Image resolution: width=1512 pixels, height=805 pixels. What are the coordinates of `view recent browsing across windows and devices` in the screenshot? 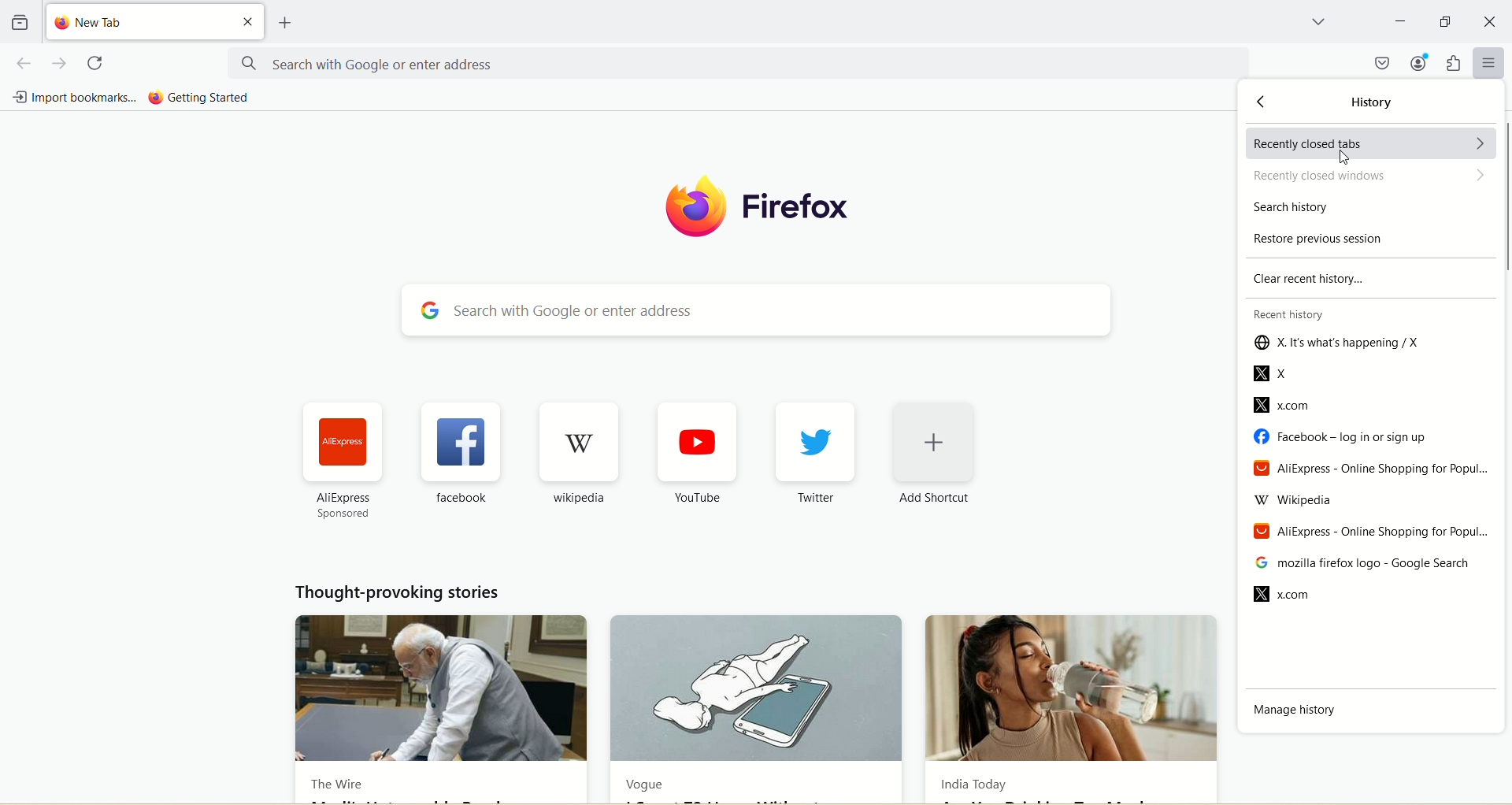 It's located at (20, 20).